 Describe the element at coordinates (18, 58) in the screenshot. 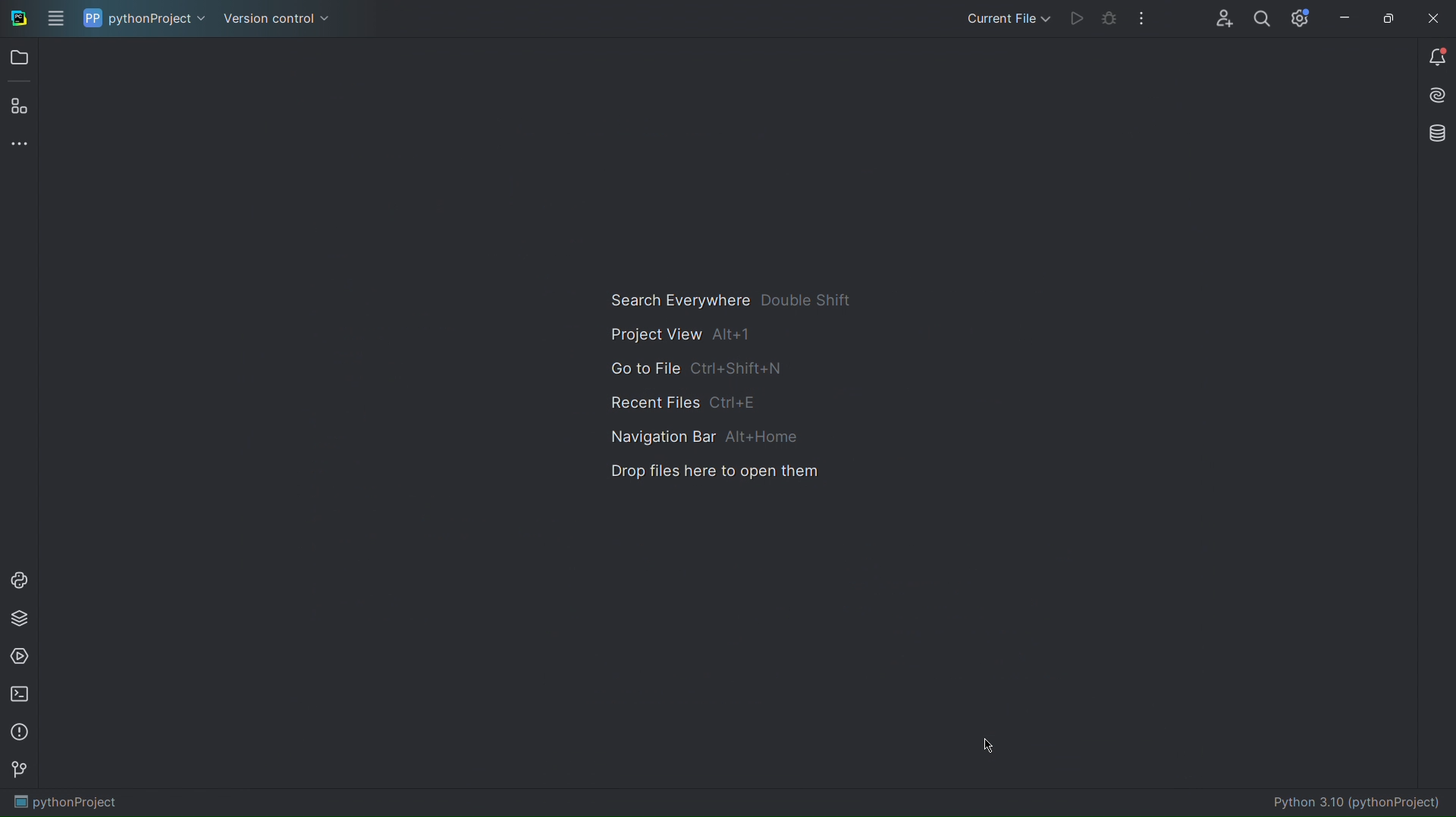

I see `Open Folder` at that location.